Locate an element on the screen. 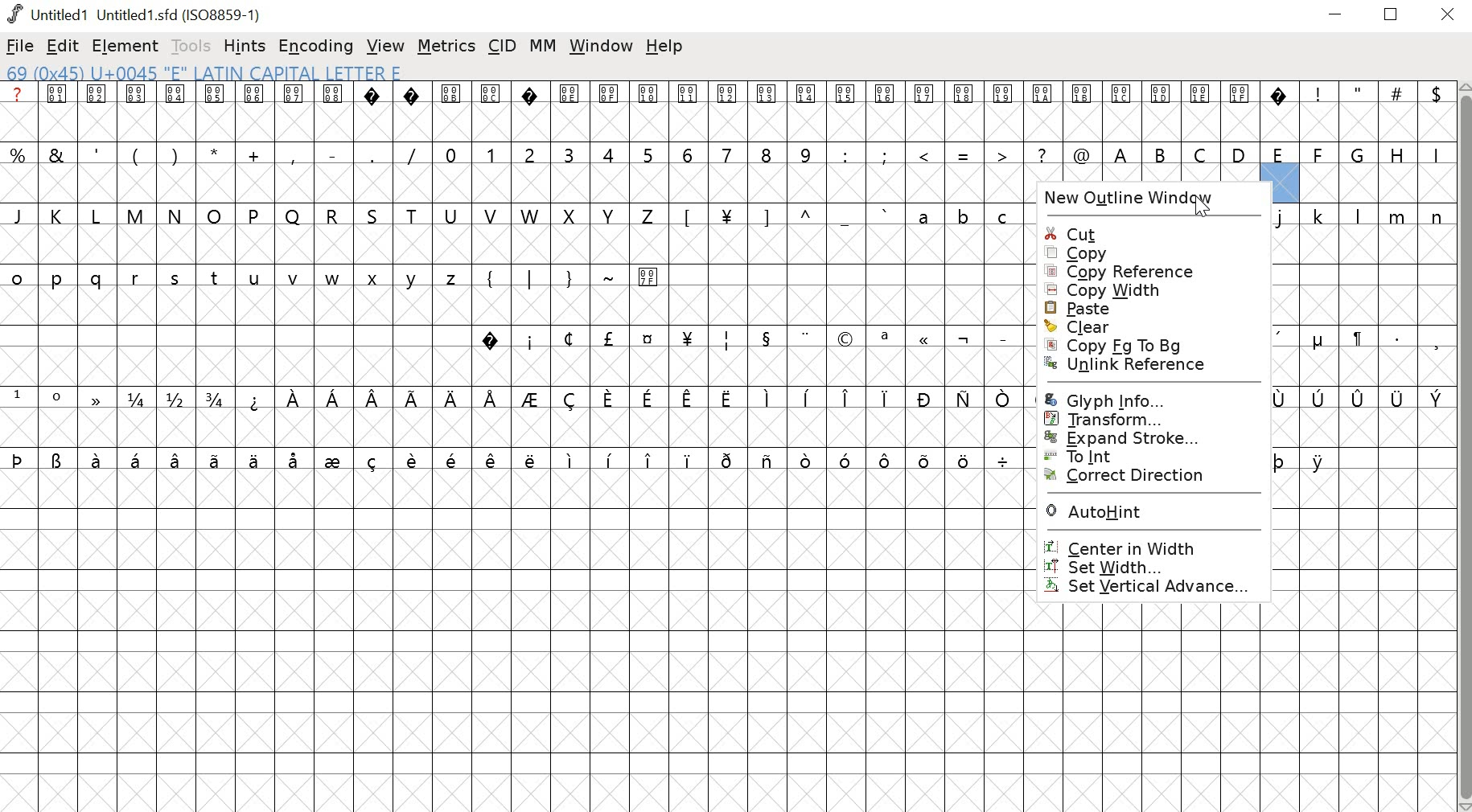  special characters and symbols is located at coordinates (724, 92).